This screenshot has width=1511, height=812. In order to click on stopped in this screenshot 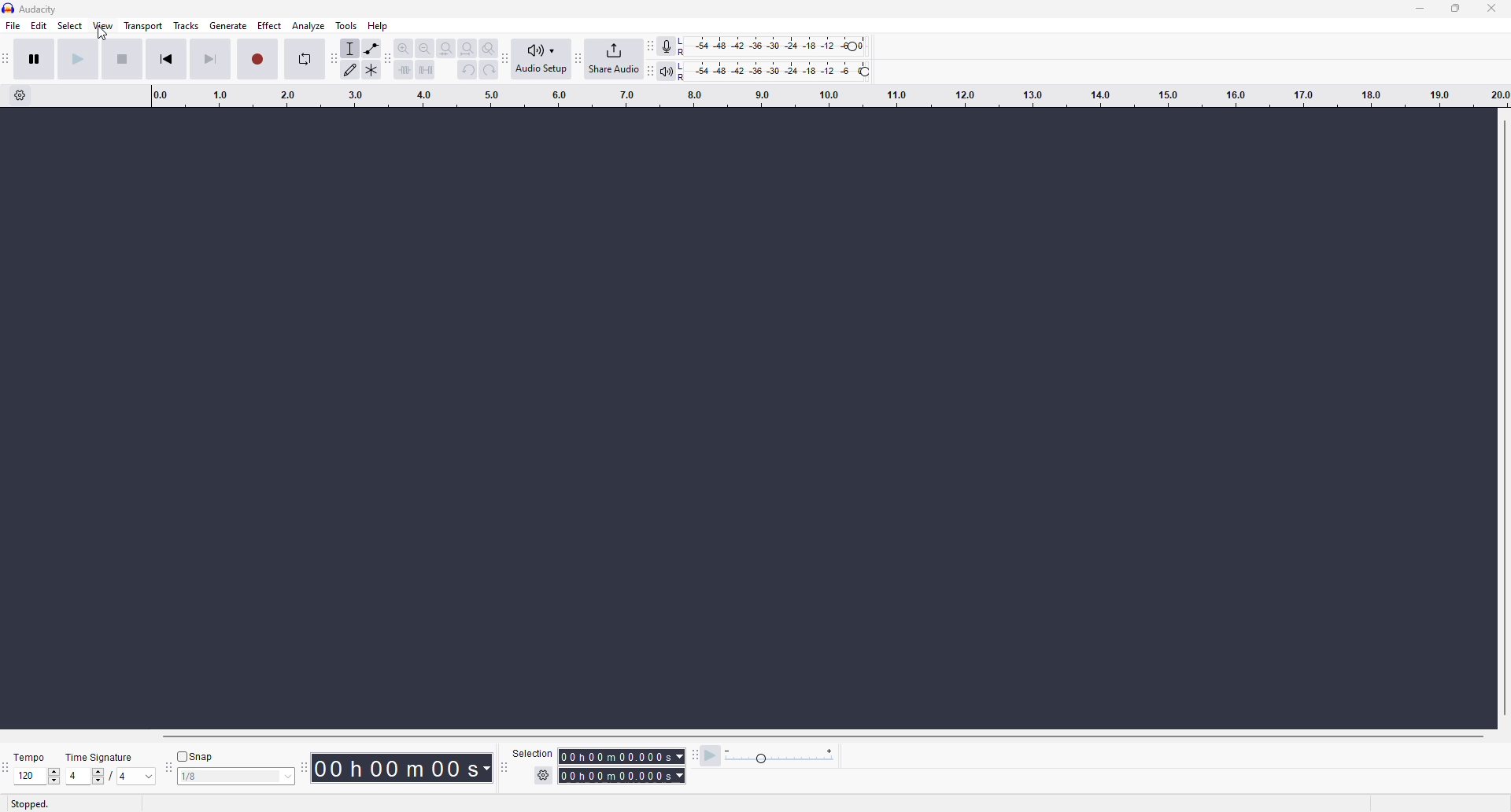, I will do `click(30, 803)`.